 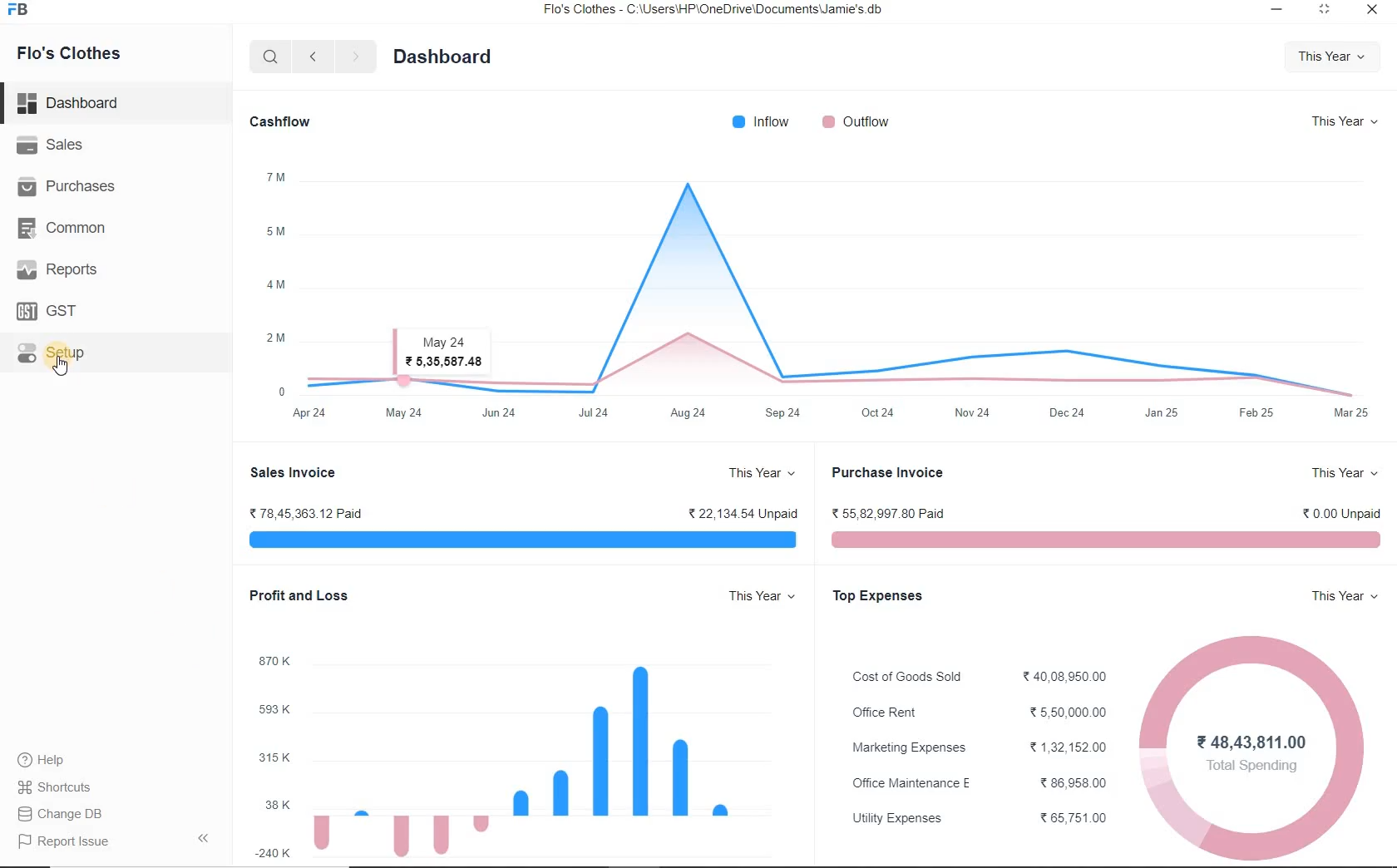 What do you see at coordinates (273, 806) in the screenshot?
I see `38K` at bounding box center [273, 806].